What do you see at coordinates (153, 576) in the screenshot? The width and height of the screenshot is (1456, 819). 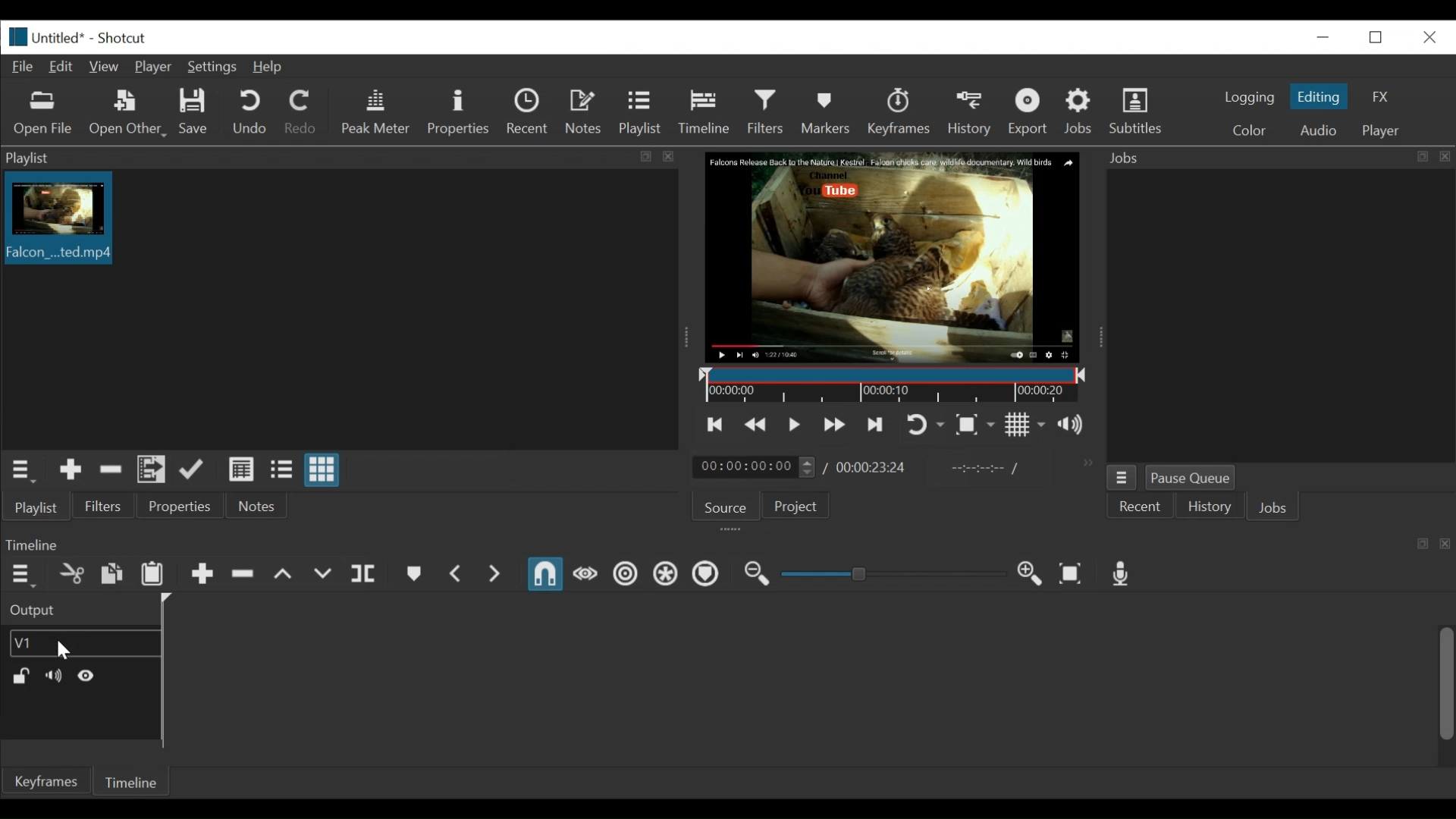 I see `Paste` at bounding box center [153, 576].